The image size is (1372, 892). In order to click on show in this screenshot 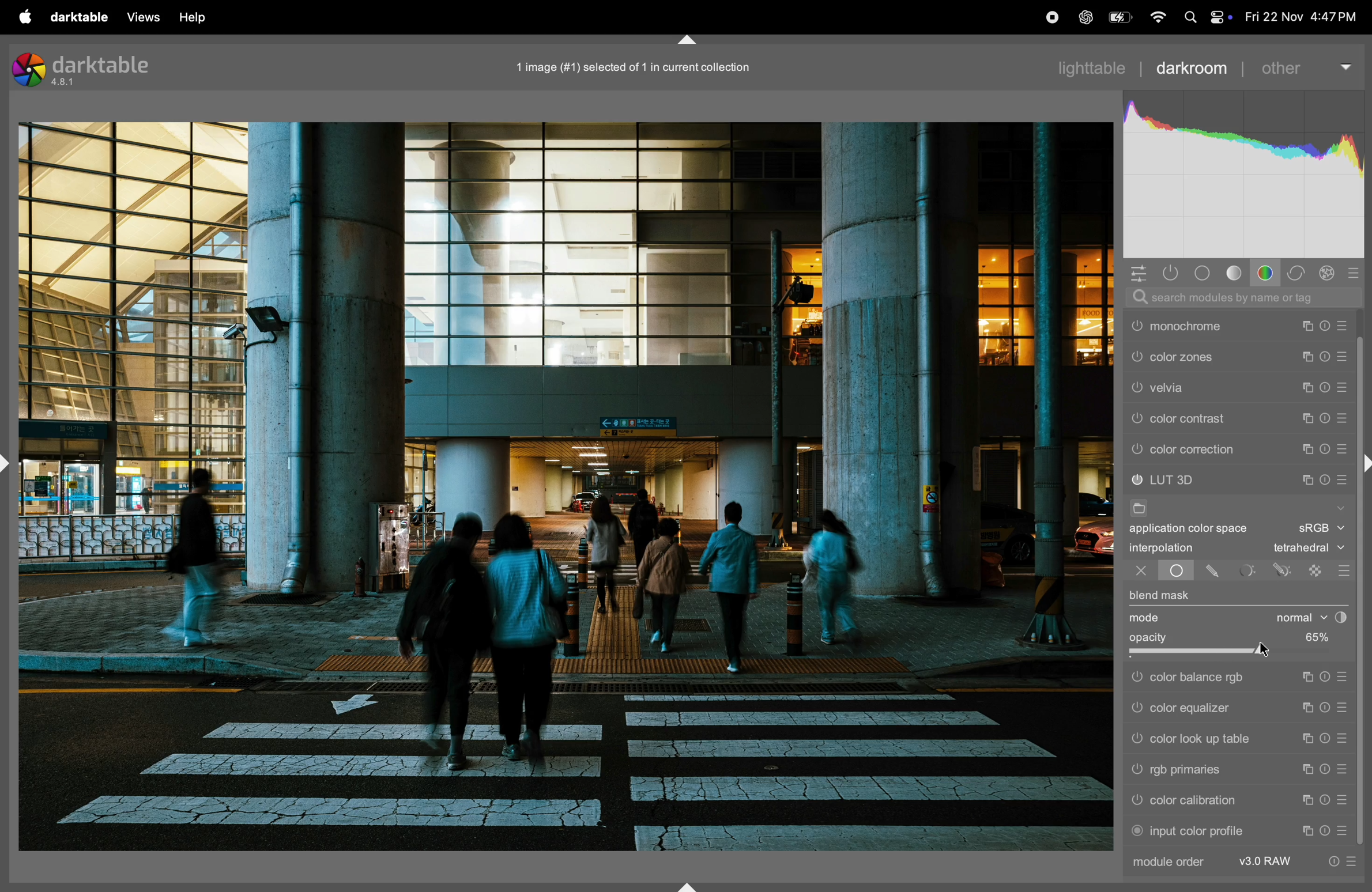, I will do `click(1341, 507)`.